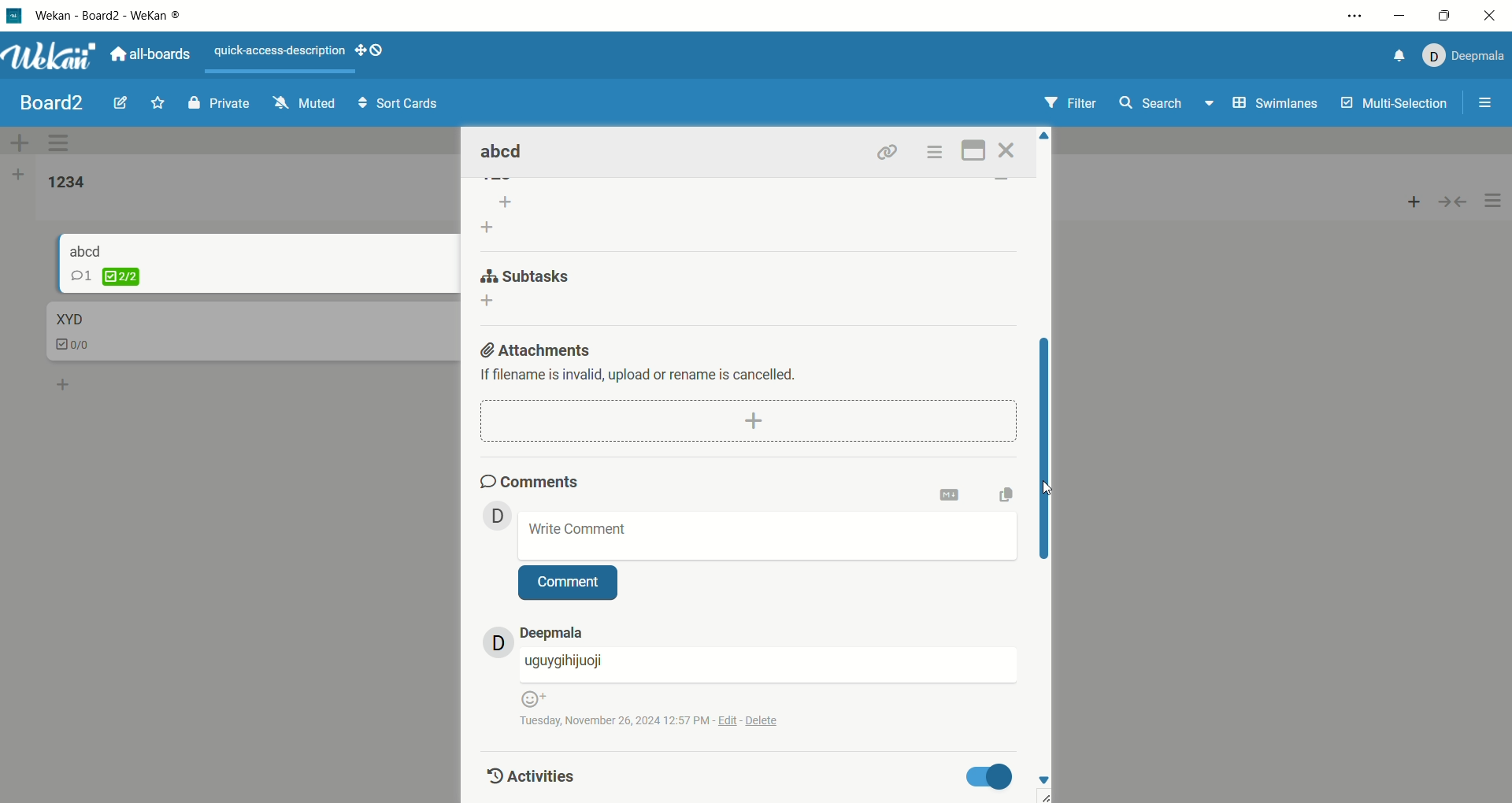 Image resolution: width=1512 pixels, height=803 pixels. What do you see at coordinates (281, 52) in the screenshot?
I see `text` at bounding box center [281, 52].